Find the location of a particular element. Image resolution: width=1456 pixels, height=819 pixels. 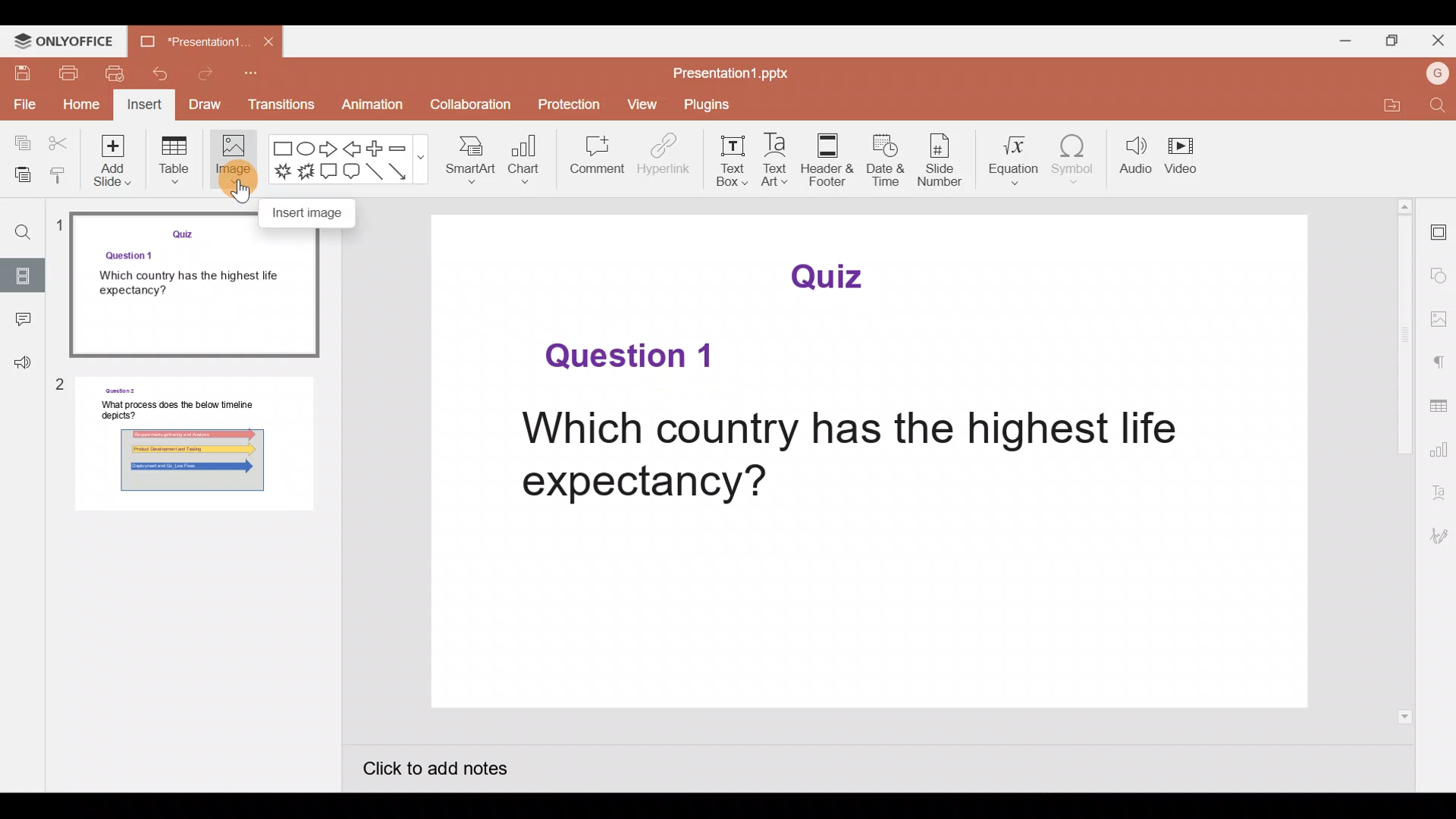

Equation is located at coordinates (1018, 160).